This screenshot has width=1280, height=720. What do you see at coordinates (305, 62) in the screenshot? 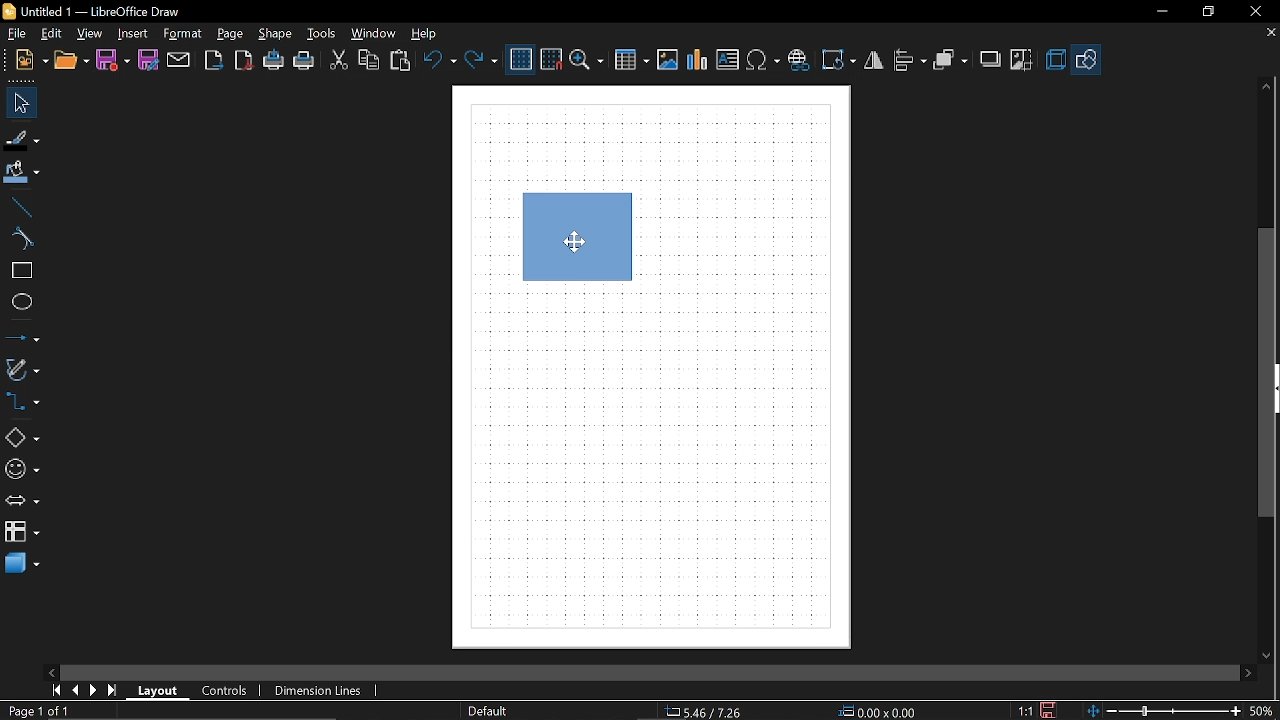
I see `Print` at bounding box center [305, 62].